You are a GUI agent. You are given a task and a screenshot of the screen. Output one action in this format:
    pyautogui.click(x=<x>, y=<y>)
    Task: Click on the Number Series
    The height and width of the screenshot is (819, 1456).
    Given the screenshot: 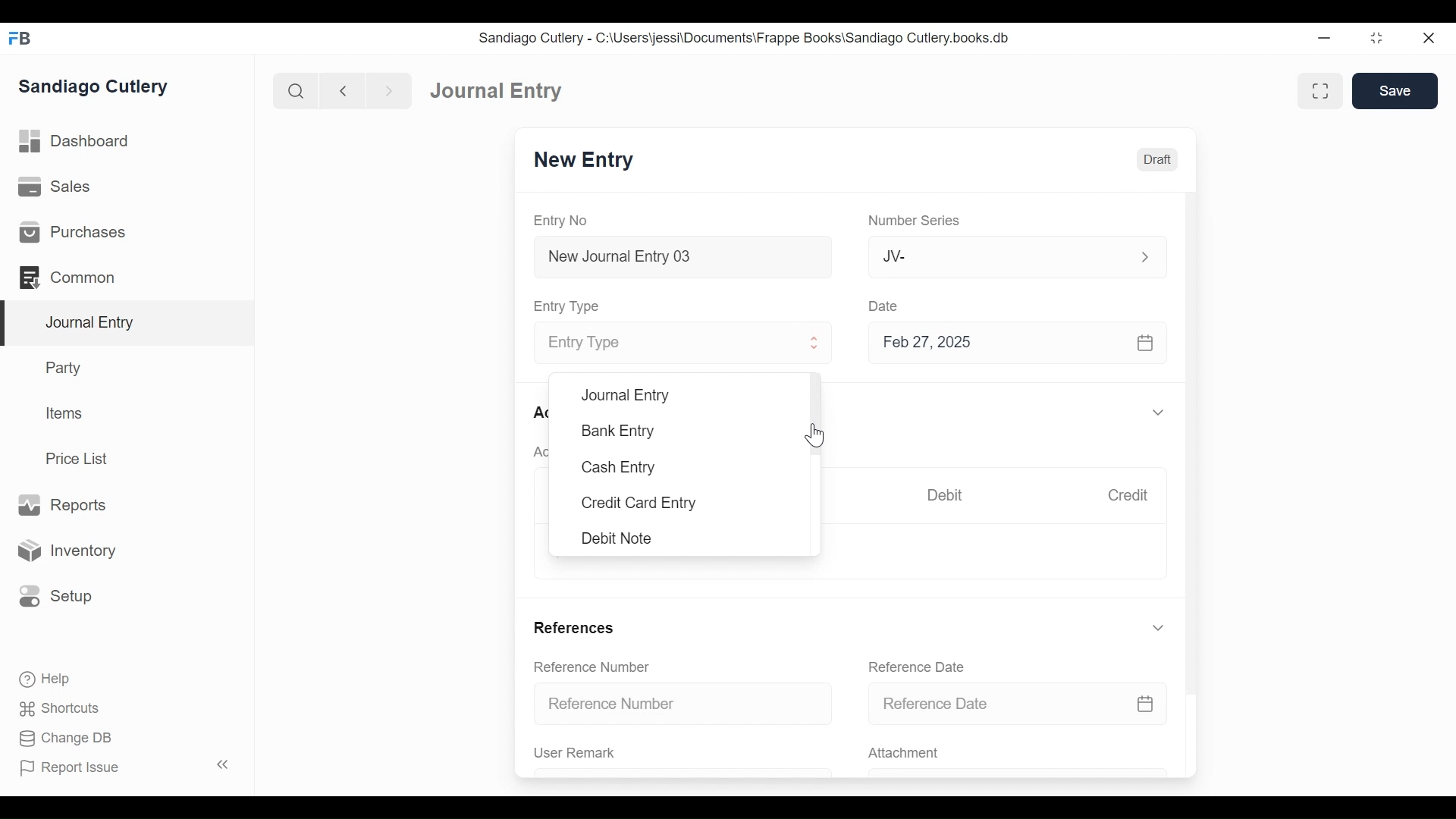 What is the action you would take?
    pyautogui.click(x=912, y=221)
    